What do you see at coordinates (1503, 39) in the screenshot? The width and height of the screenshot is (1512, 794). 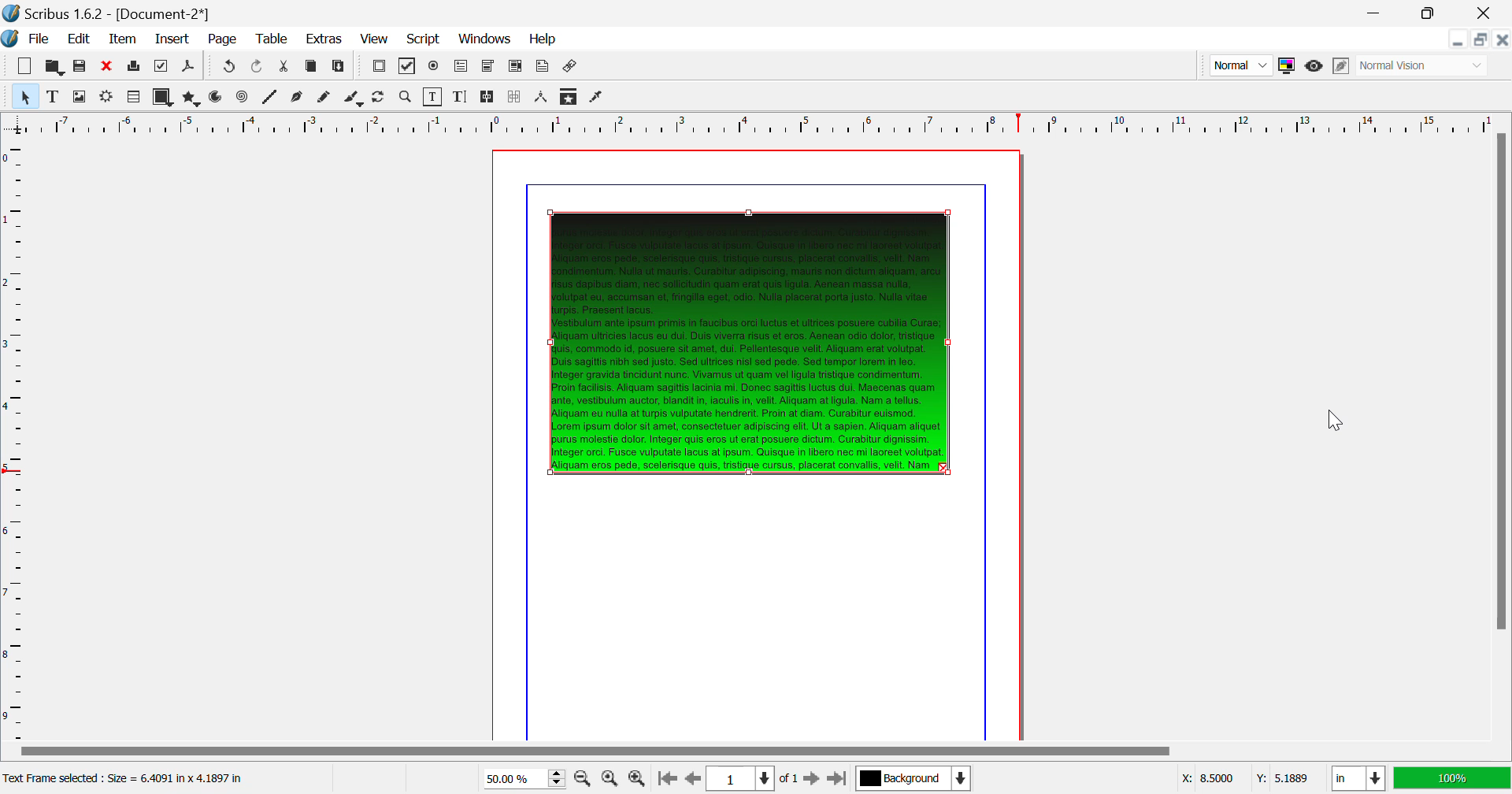 I see `Close` at bounding box center [1503, 39].